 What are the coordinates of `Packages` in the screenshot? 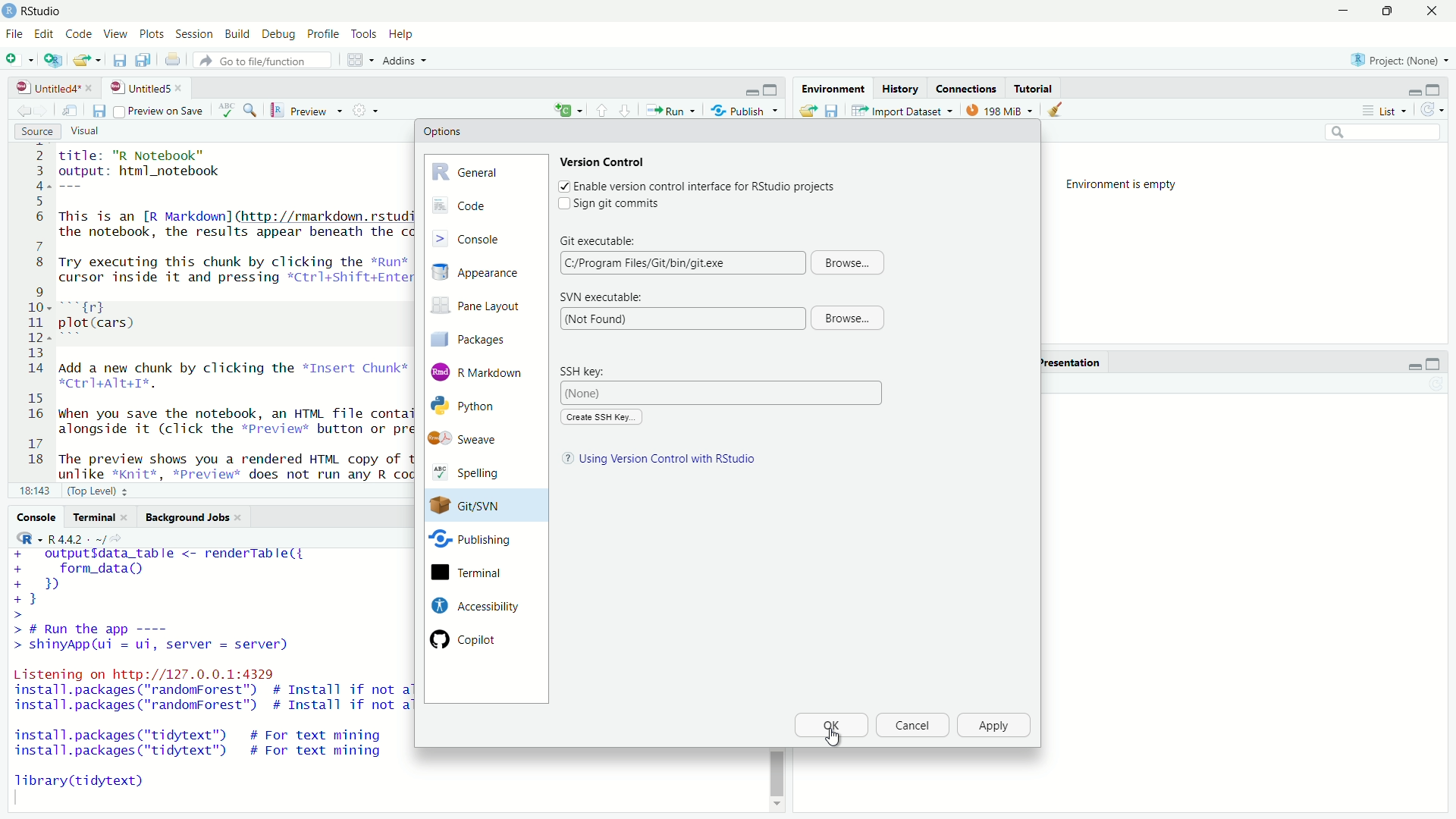 It's located at (481, 338).